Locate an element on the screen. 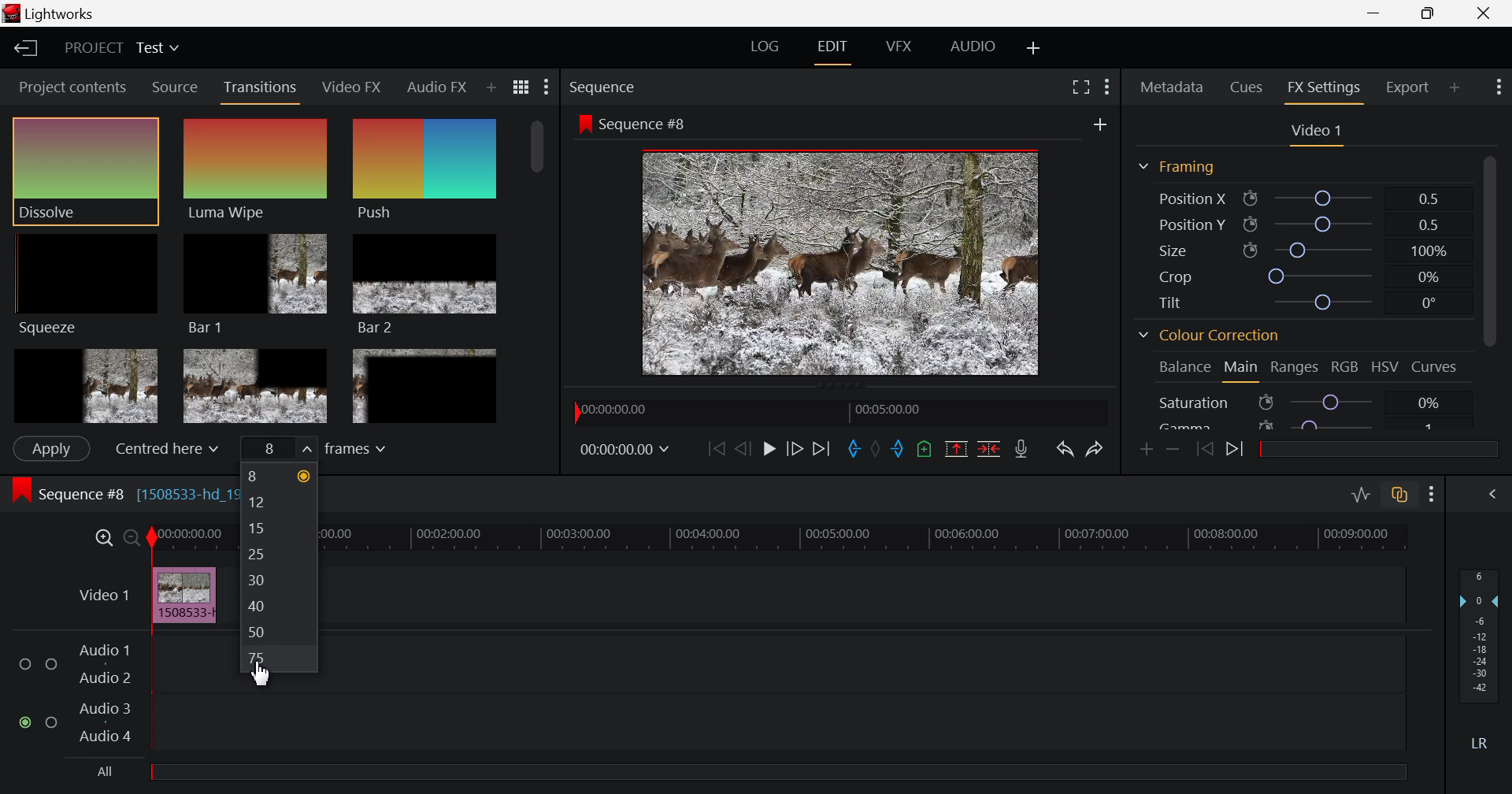 The height and width of the screenshot is (794, 1512). AUDIO Layout is located at coordinates (970, 46).